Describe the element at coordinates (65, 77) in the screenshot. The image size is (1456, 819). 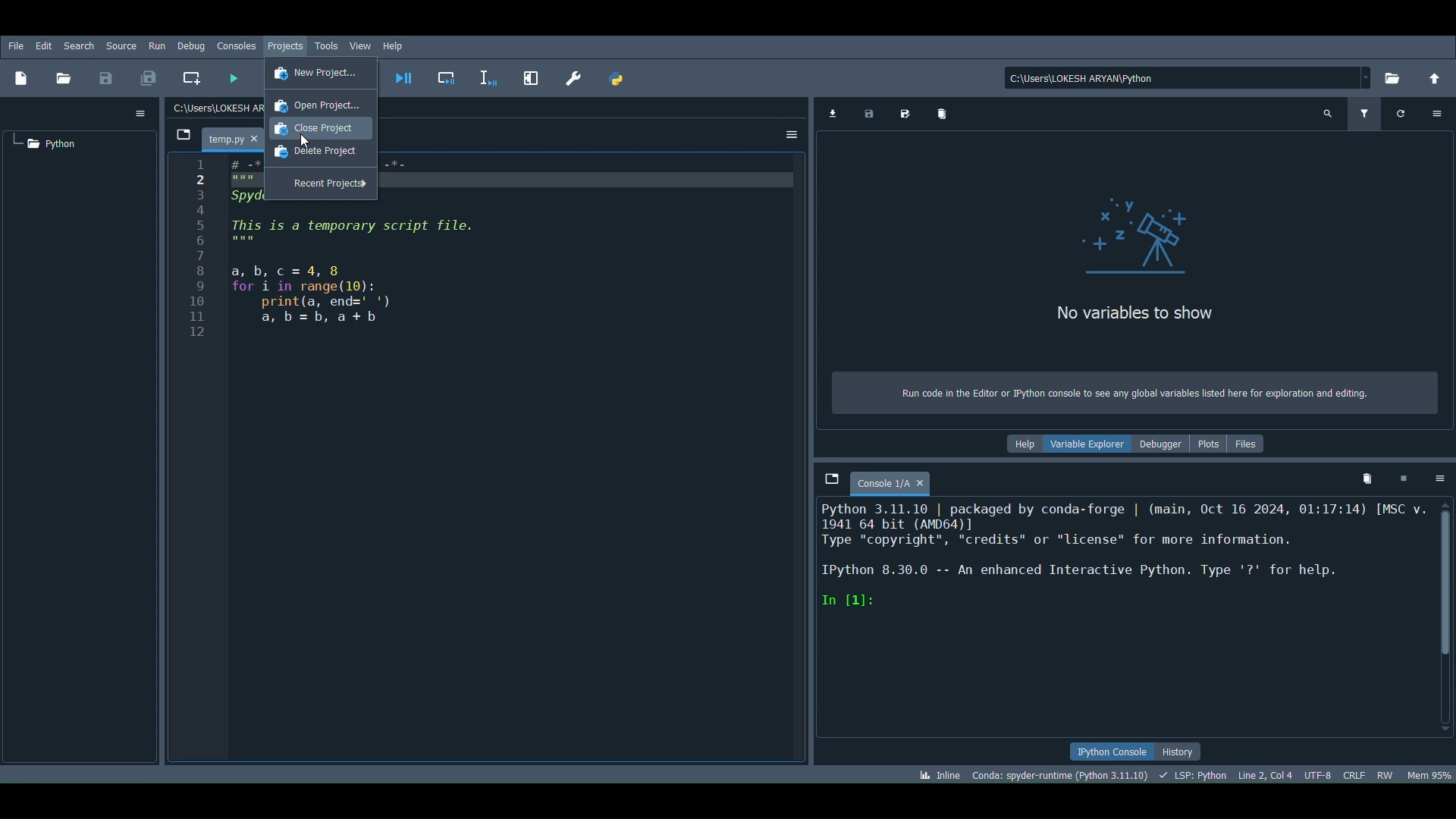
I see `Open file (Ctrl + O)` at that location.